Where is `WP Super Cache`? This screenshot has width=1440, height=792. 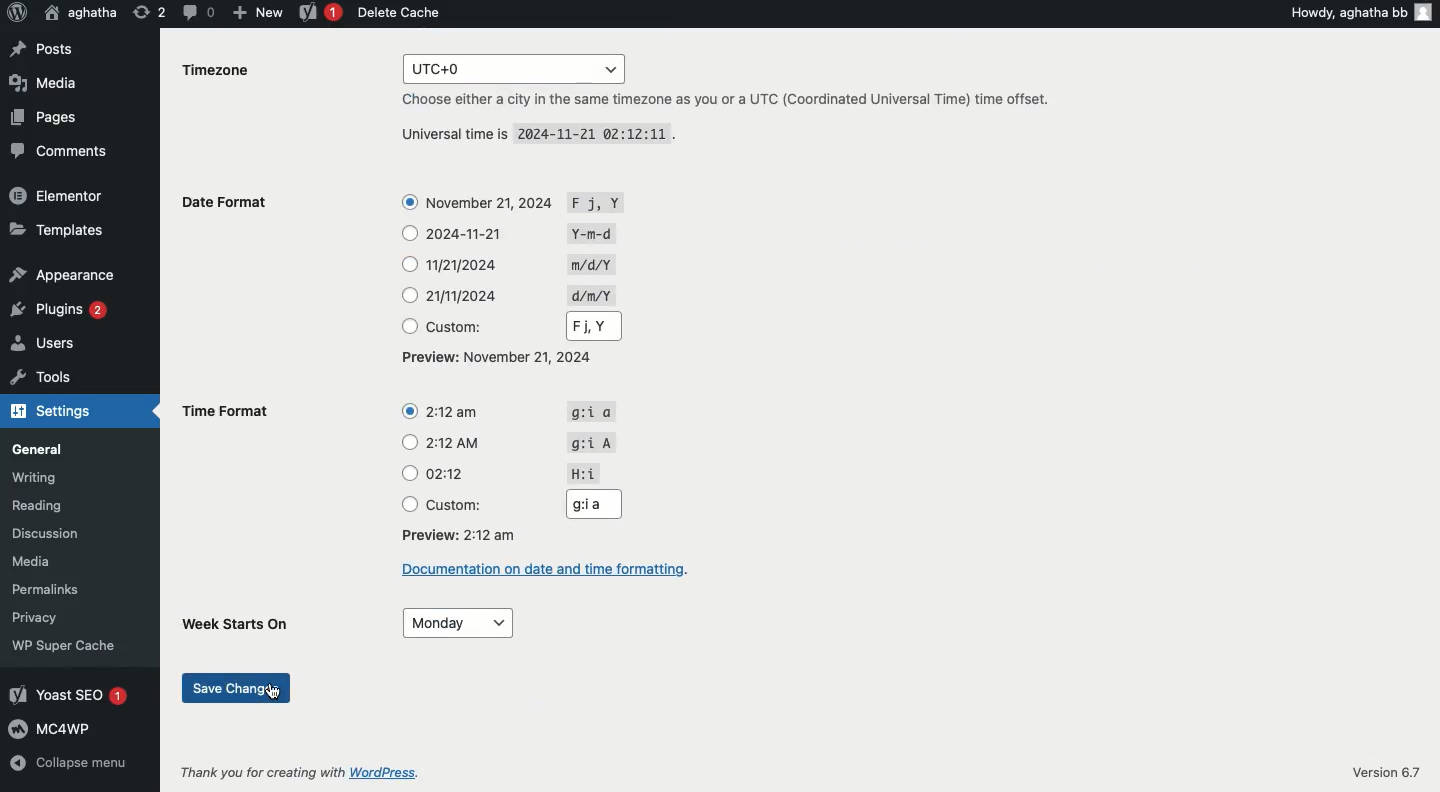
WP Super Cache is located at coordinates (65, 645).